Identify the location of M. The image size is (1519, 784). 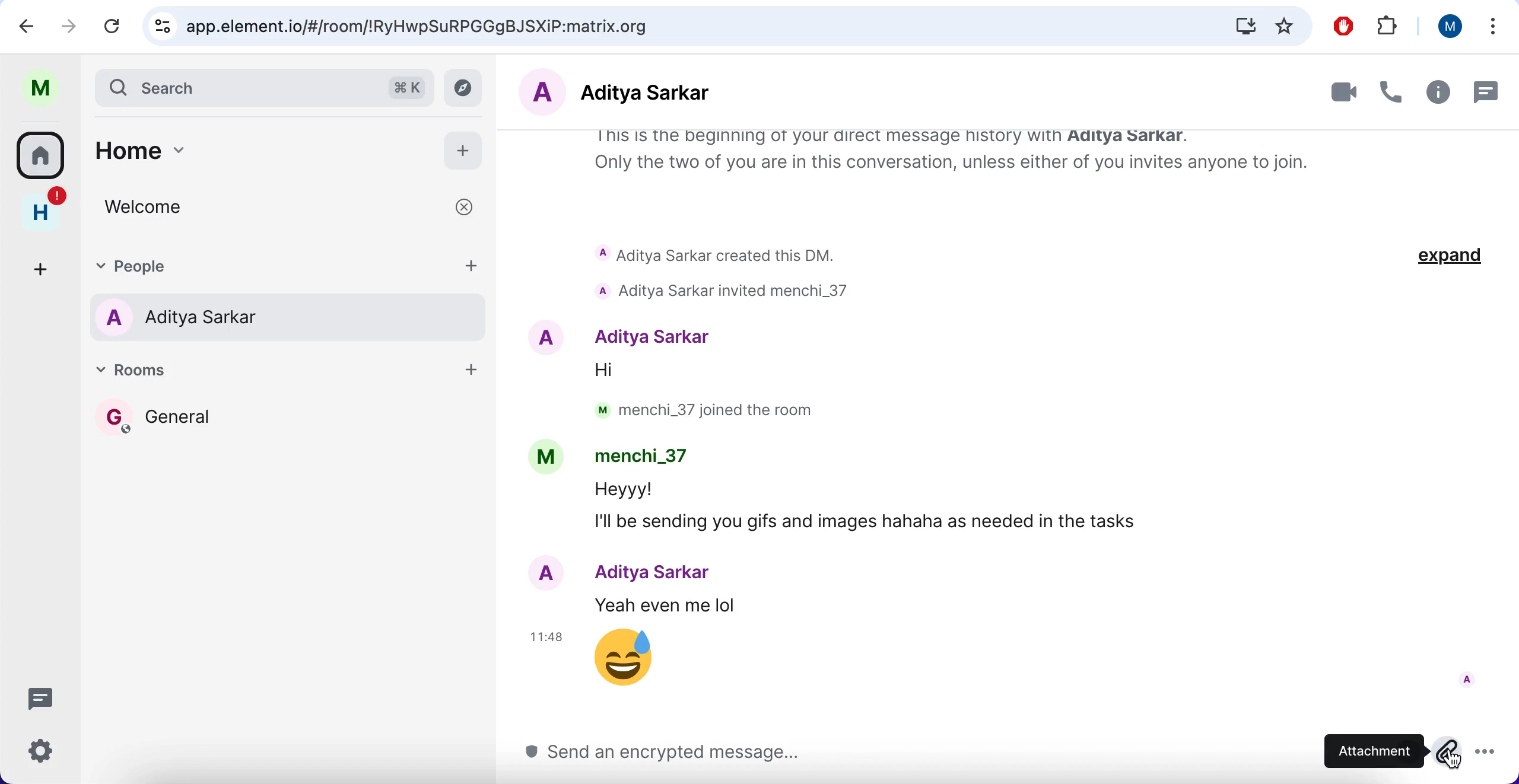
(552, 457).